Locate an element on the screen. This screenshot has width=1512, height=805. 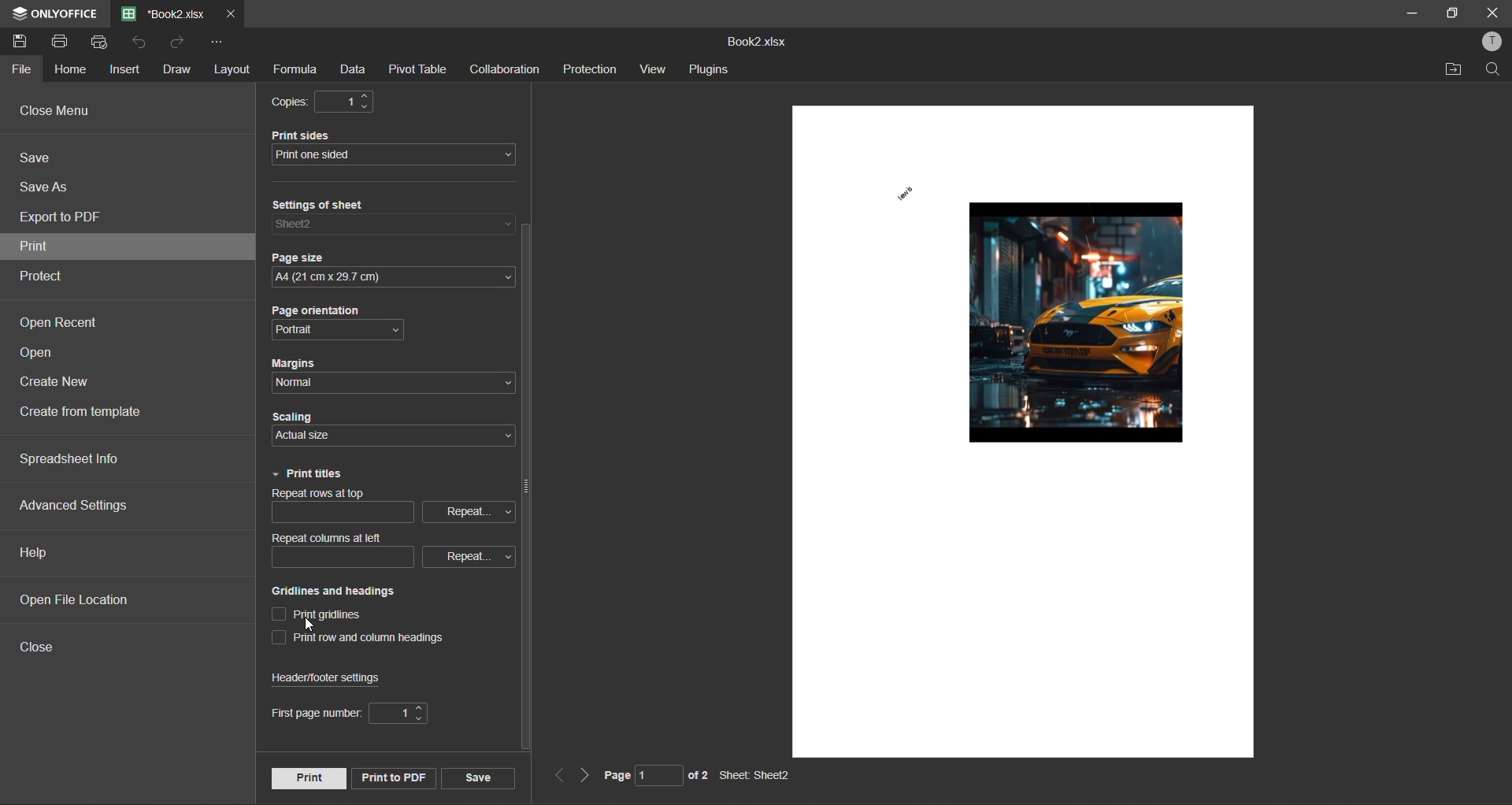
advanced settings is located at coordinates (81, 508).